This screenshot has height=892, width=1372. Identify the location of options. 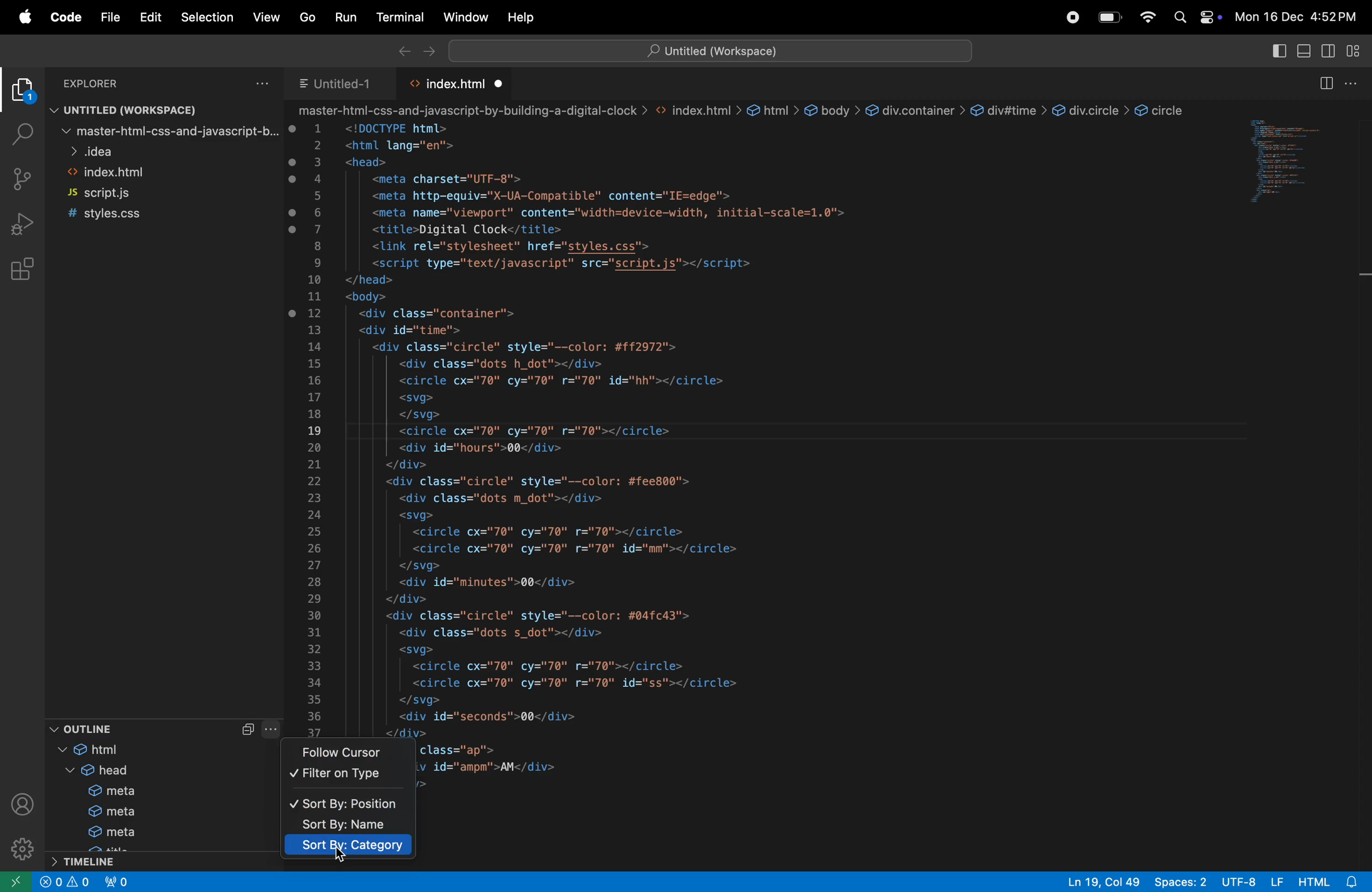
(1358, 83).